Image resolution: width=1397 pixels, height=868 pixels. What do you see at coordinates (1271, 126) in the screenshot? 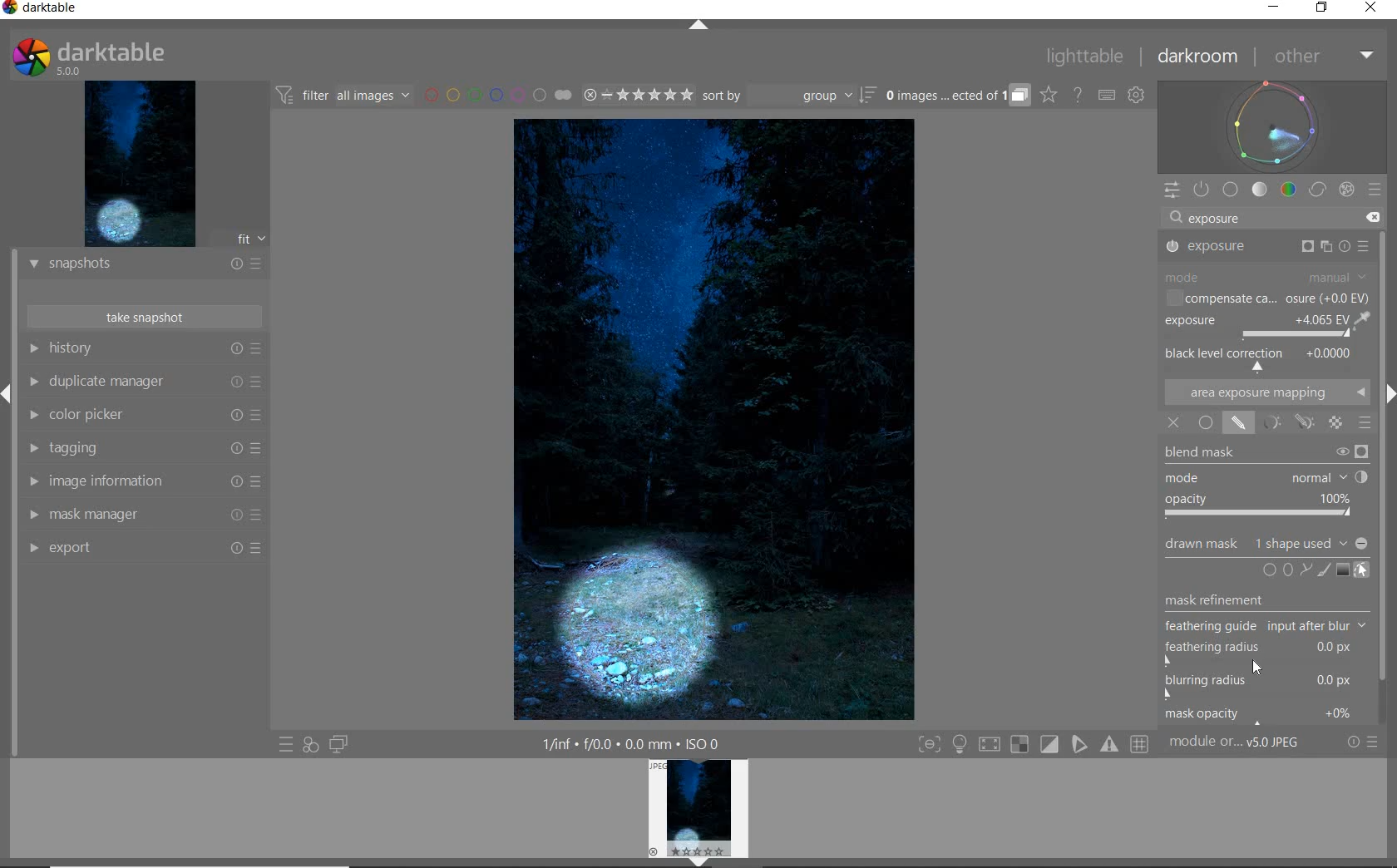
I see `WAVEFORM` at bounding box center [1271, 126].